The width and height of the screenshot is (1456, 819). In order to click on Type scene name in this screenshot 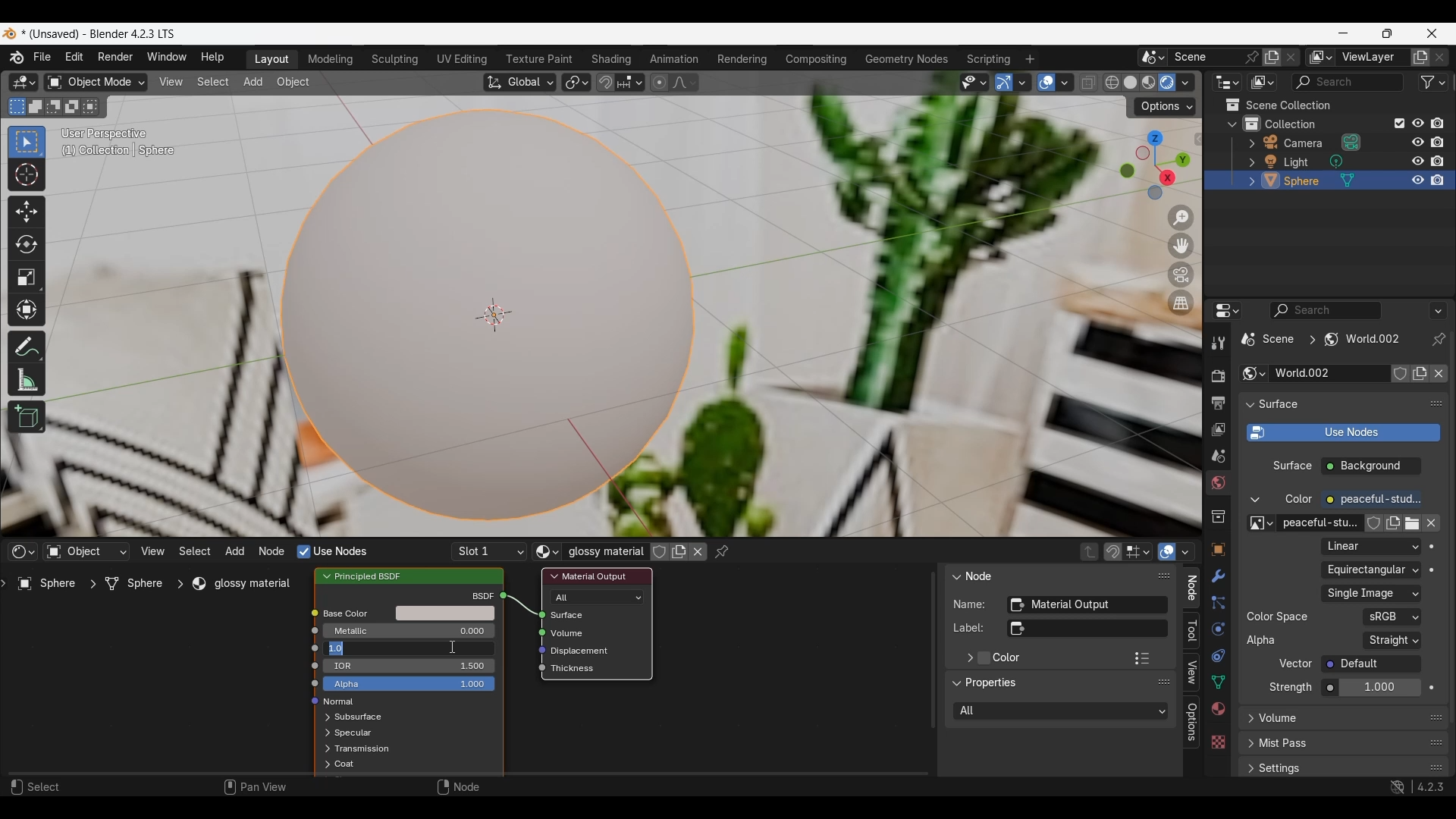, I will do `click(1203, 57)`.